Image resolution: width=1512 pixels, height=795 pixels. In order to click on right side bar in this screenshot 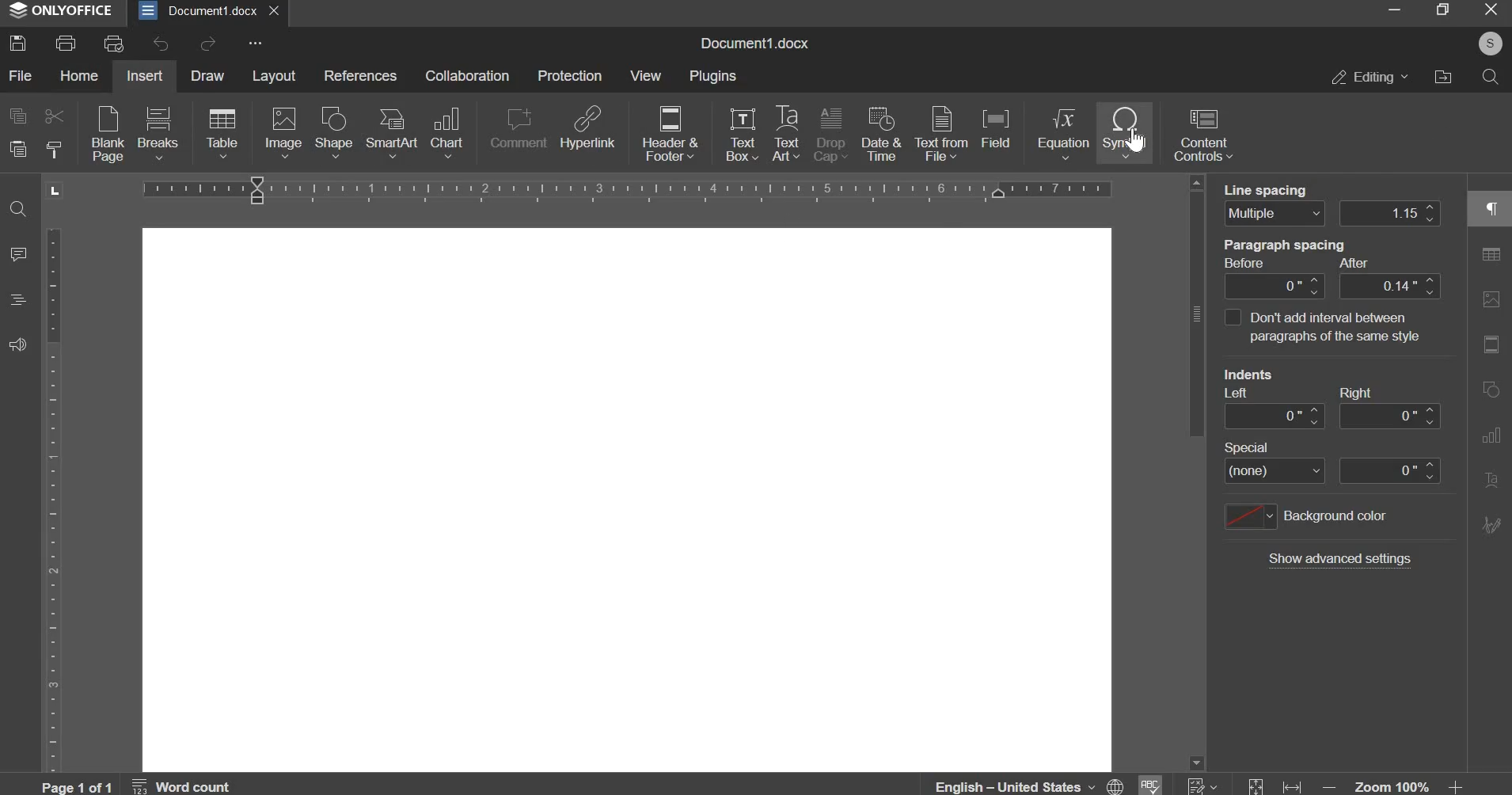, I will do `click(1487, 363)`.